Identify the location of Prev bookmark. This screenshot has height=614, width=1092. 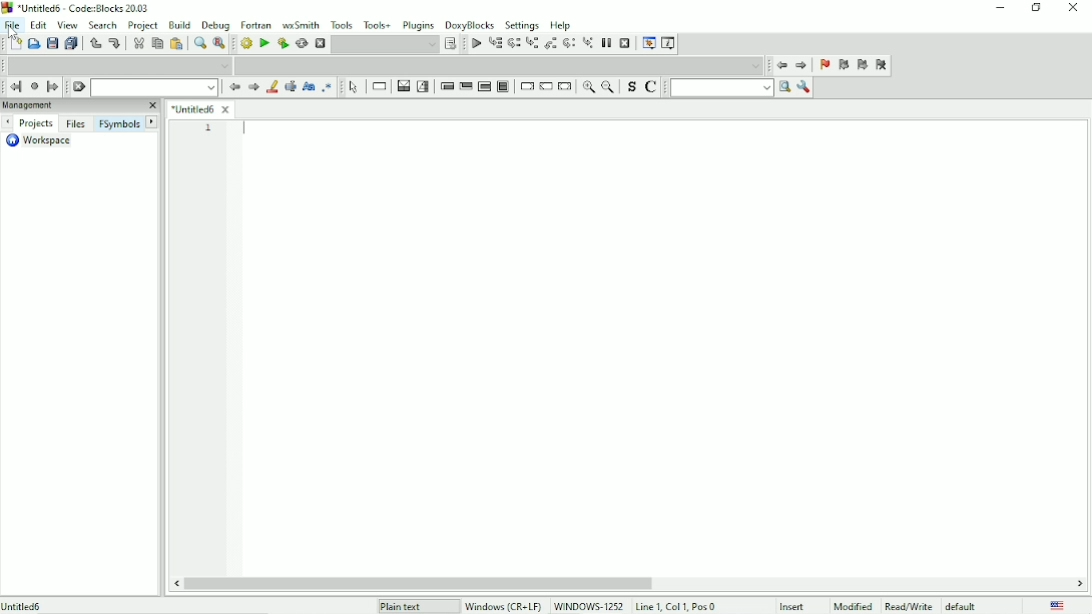
(843, 65).